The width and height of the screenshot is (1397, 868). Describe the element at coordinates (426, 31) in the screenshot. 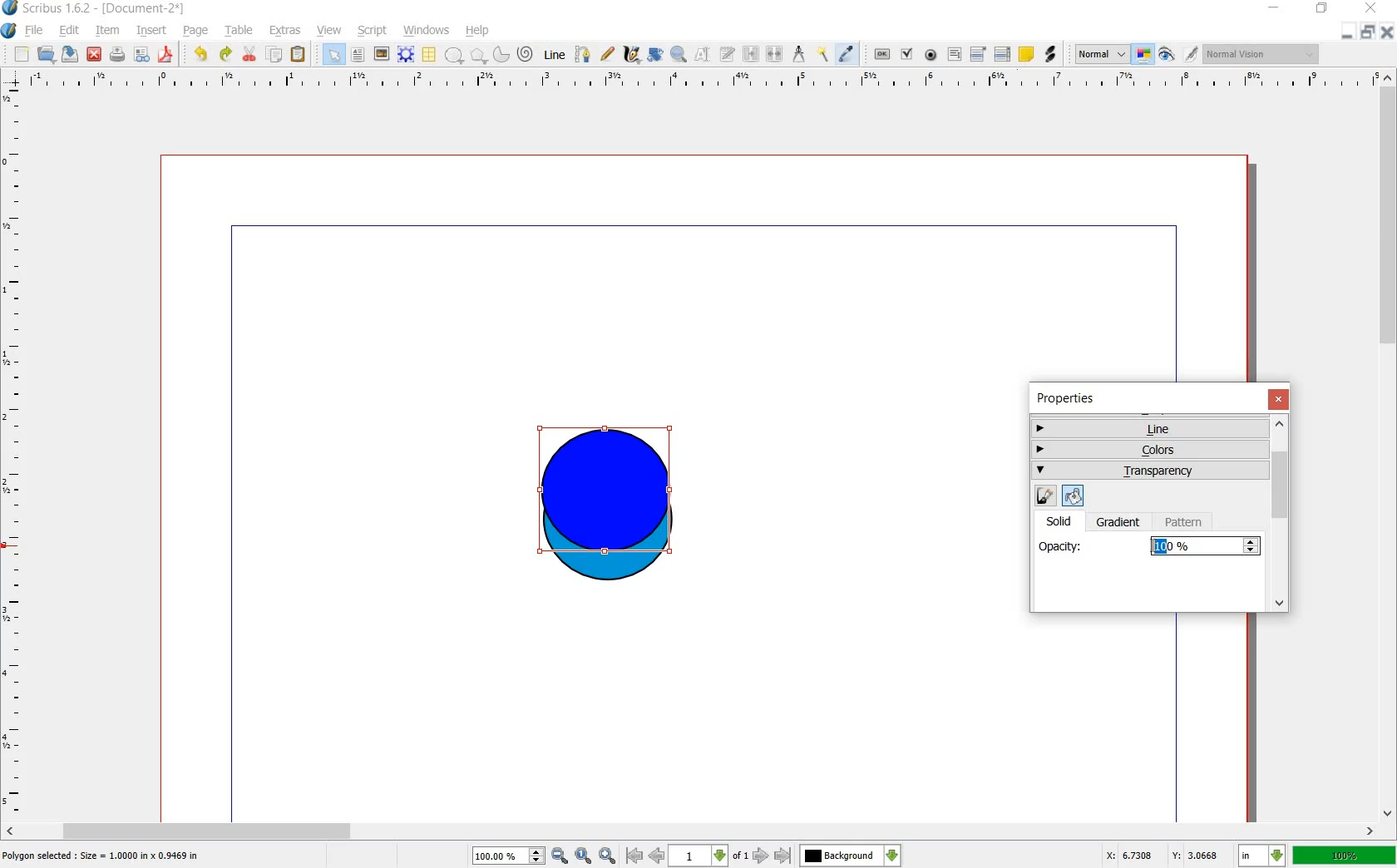

I see `windows` at that location.